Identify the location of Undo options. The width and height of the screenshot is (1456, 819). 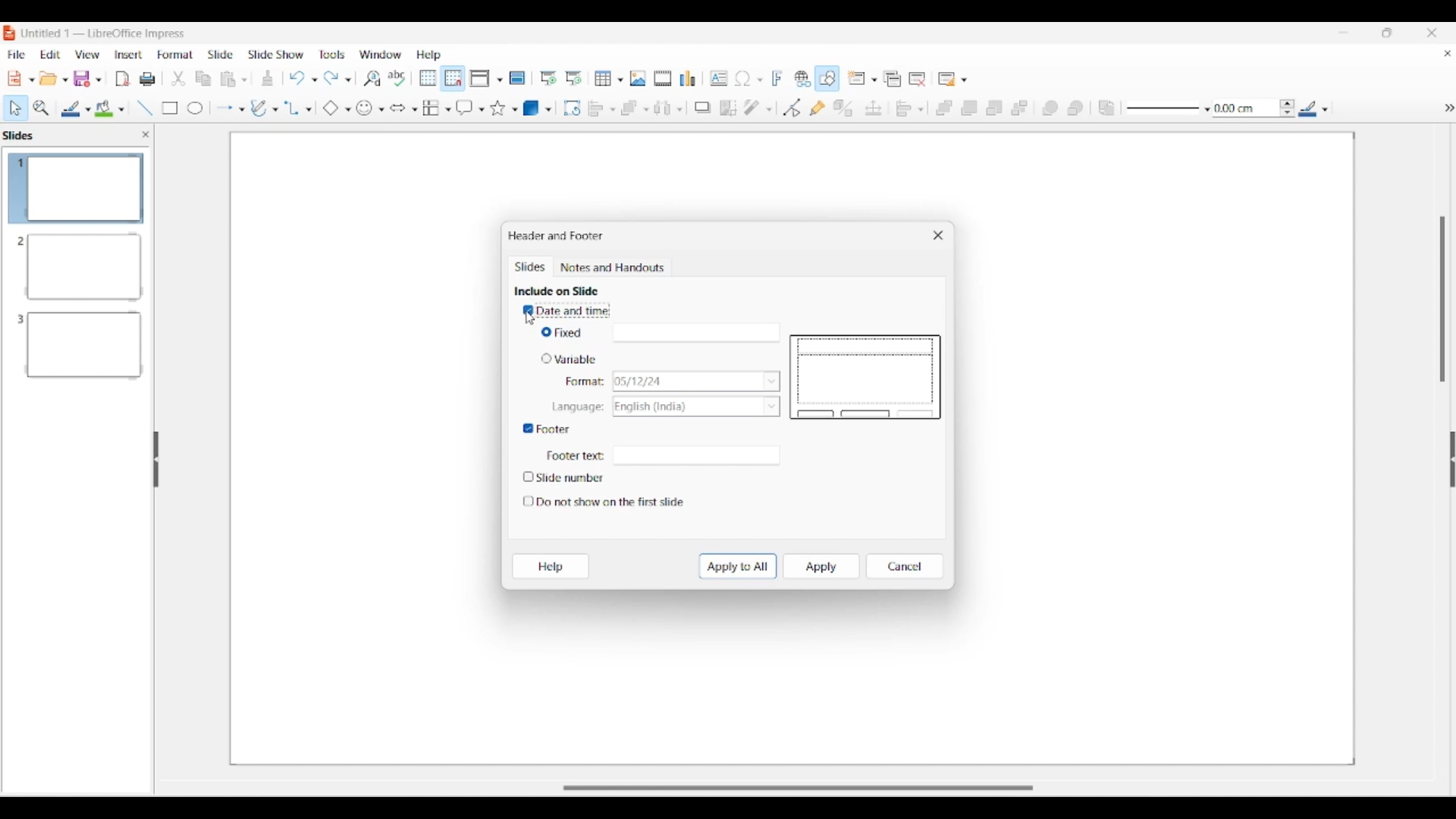
(303, 78).